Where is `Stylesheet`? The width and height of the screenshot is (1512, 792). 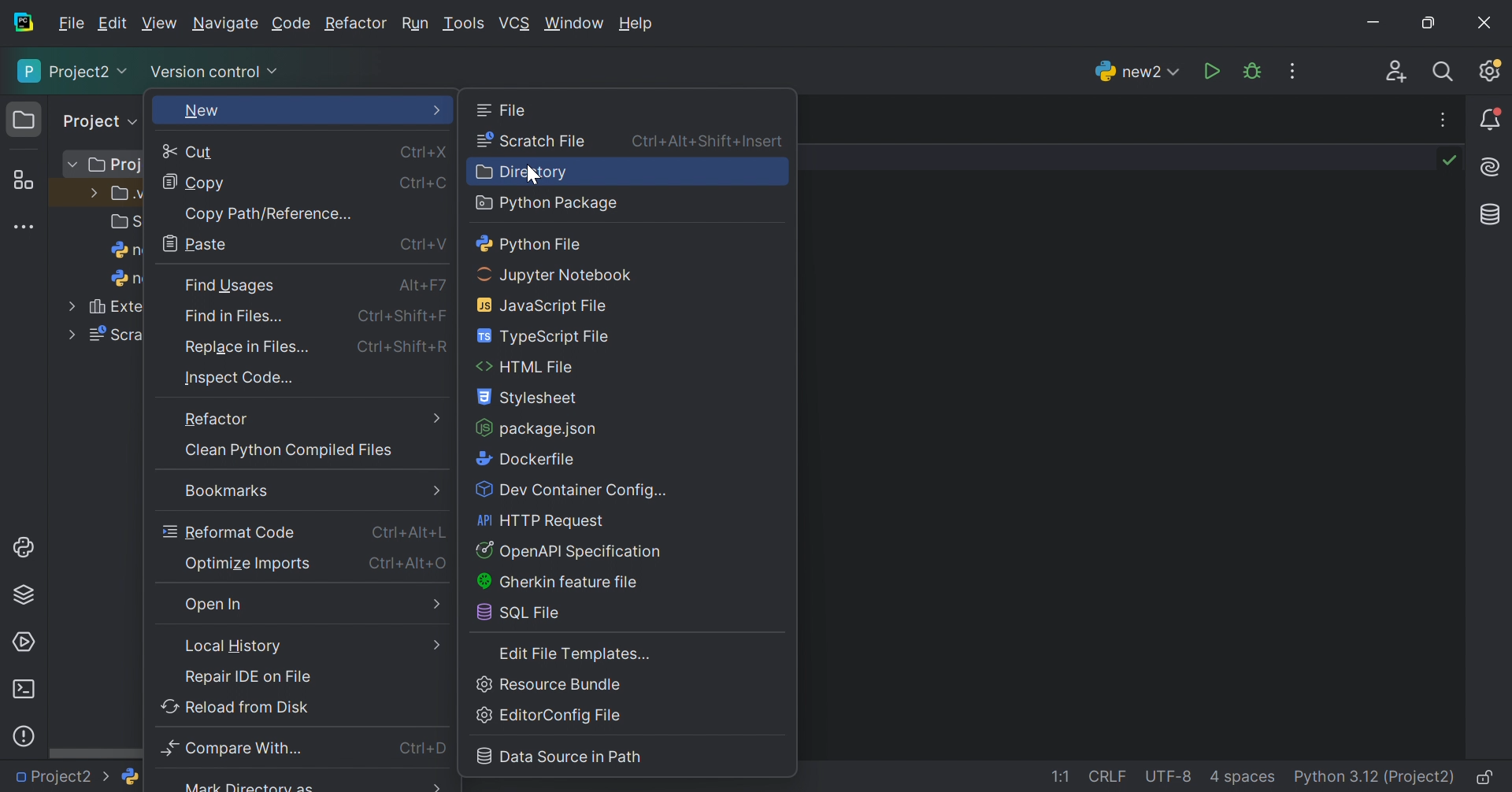 Stylesheet is located at coordinates (529, 398).